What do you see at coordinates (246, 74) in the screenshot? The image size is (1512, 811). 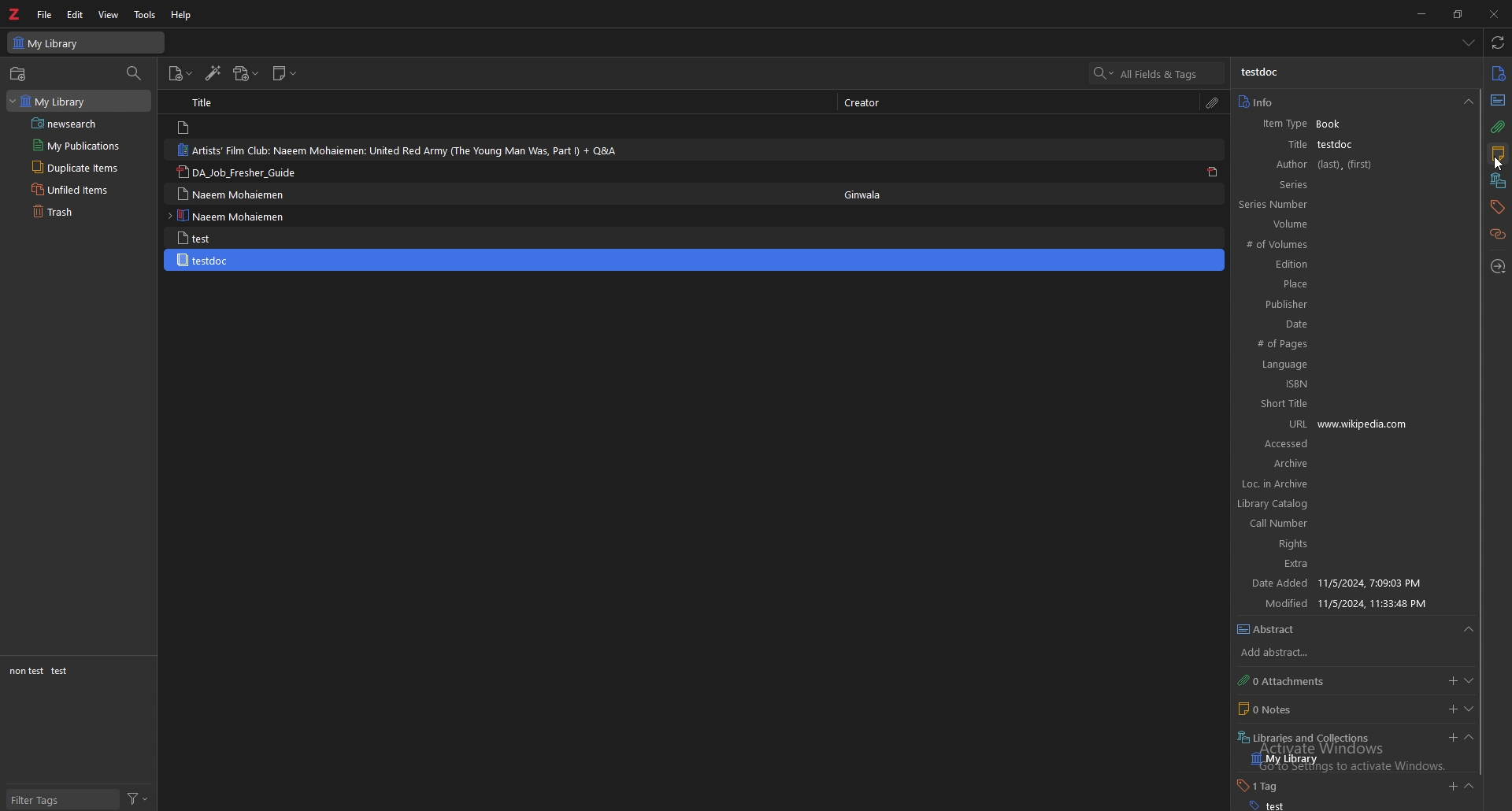 I see `add attachments` at bounding box center [246, 74].